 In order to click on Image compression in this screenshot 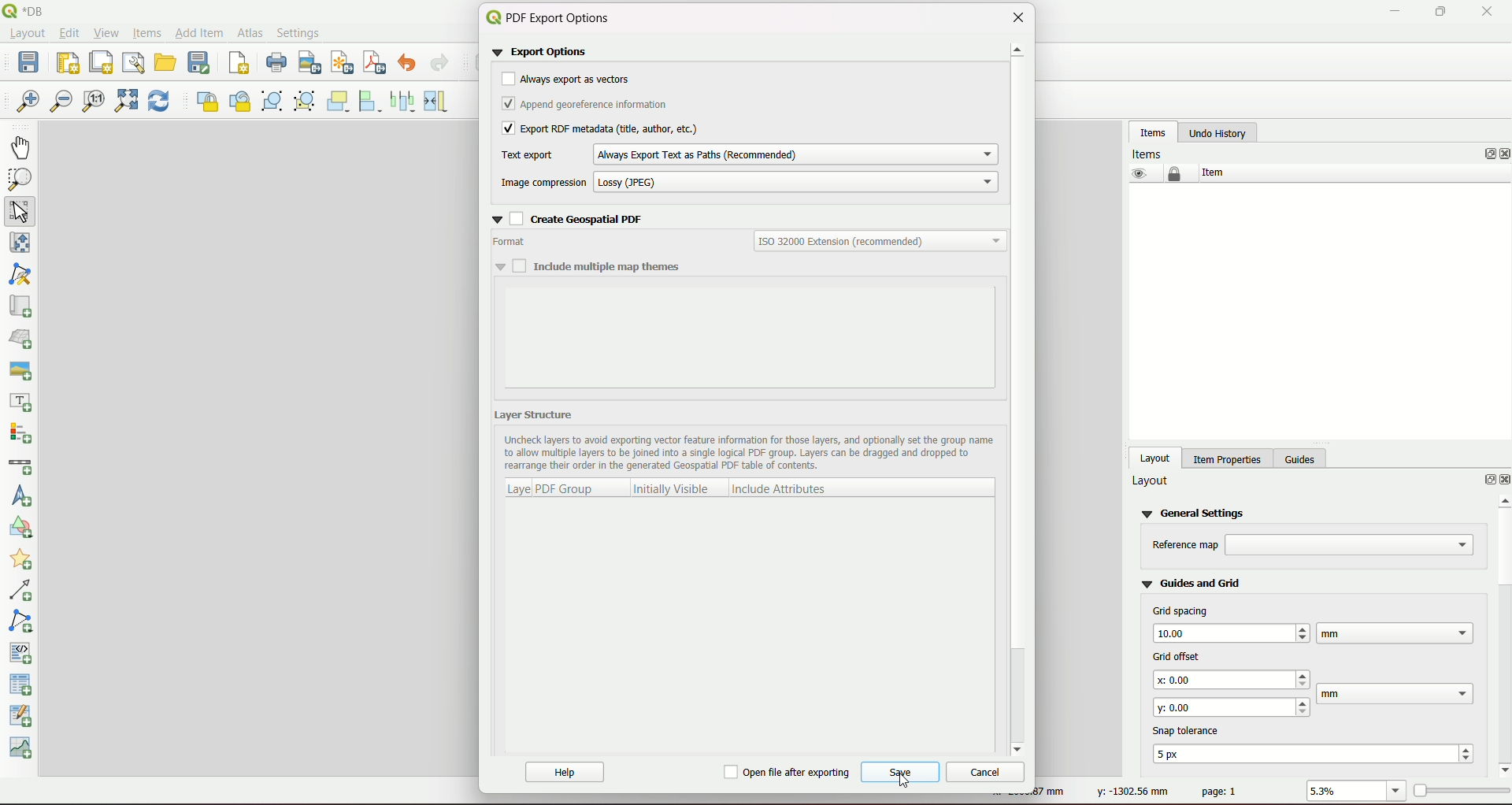, I will do `click(543, 182)`.